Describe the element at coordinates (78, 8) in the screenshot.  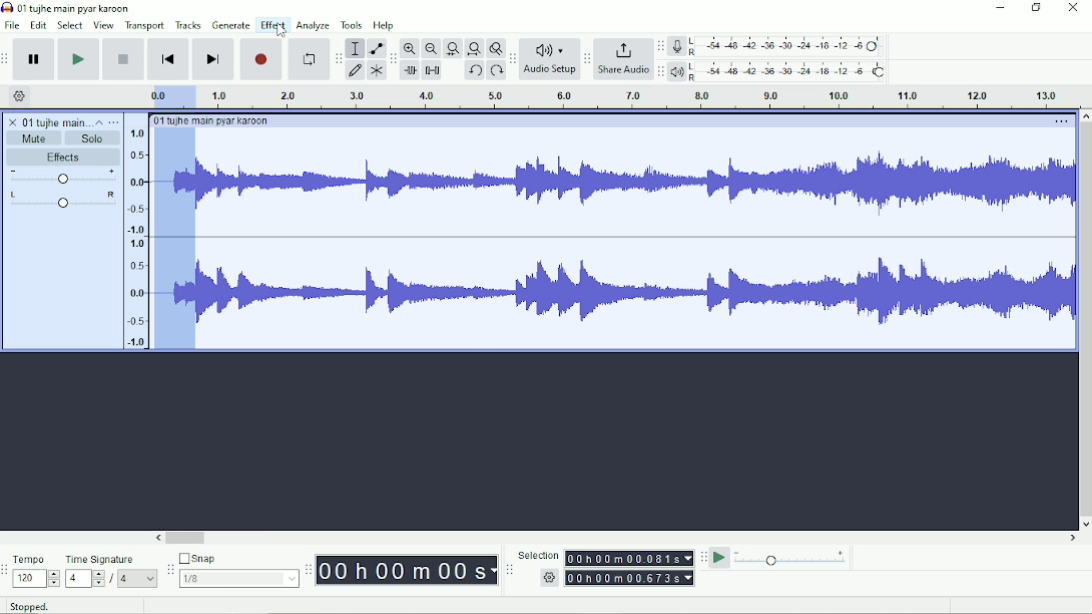
I see `01 tujhe main pyar karoon` at that location.